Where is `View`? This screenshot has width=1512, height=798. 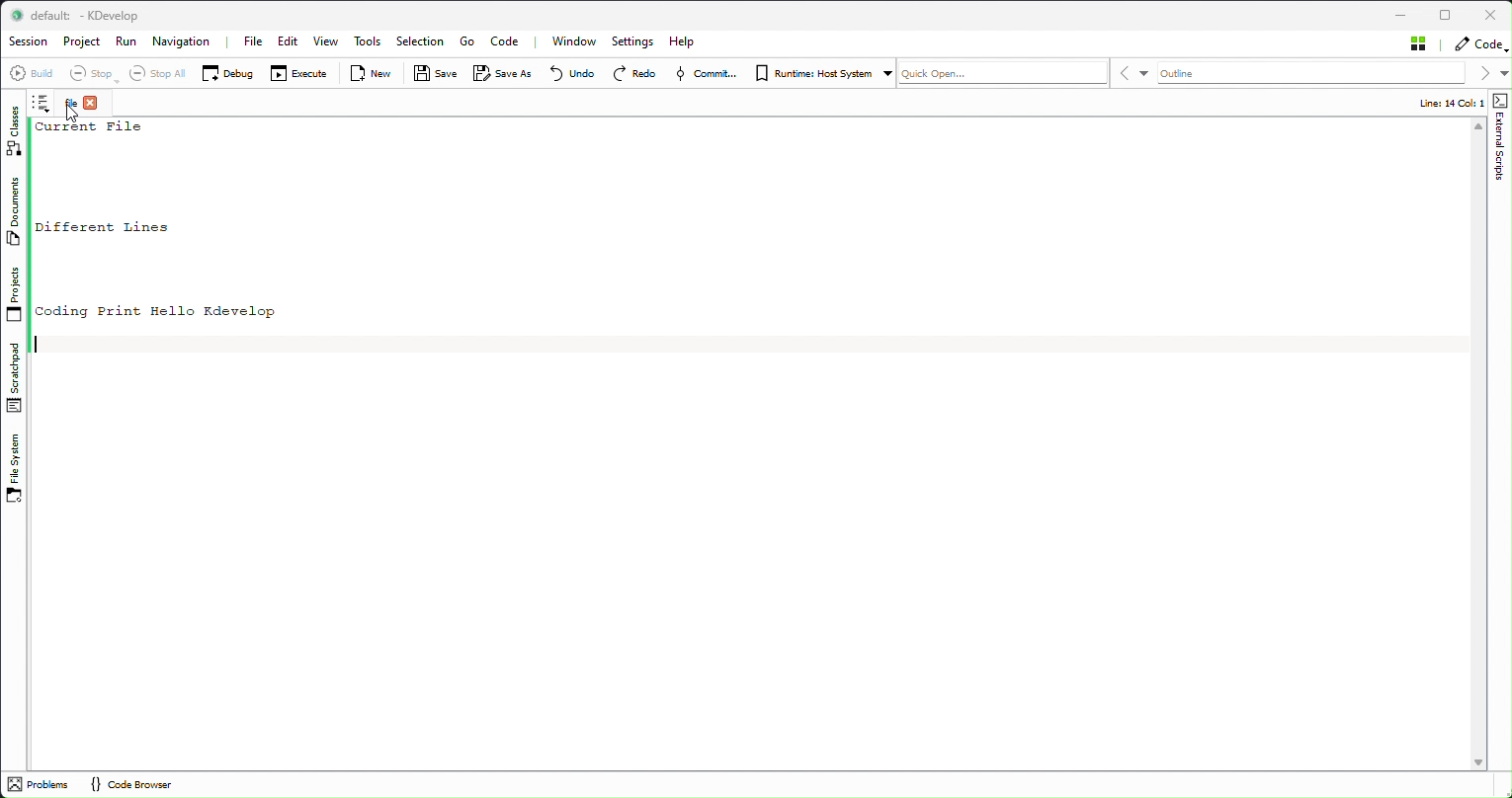 View is located at coordinates (322, 44).